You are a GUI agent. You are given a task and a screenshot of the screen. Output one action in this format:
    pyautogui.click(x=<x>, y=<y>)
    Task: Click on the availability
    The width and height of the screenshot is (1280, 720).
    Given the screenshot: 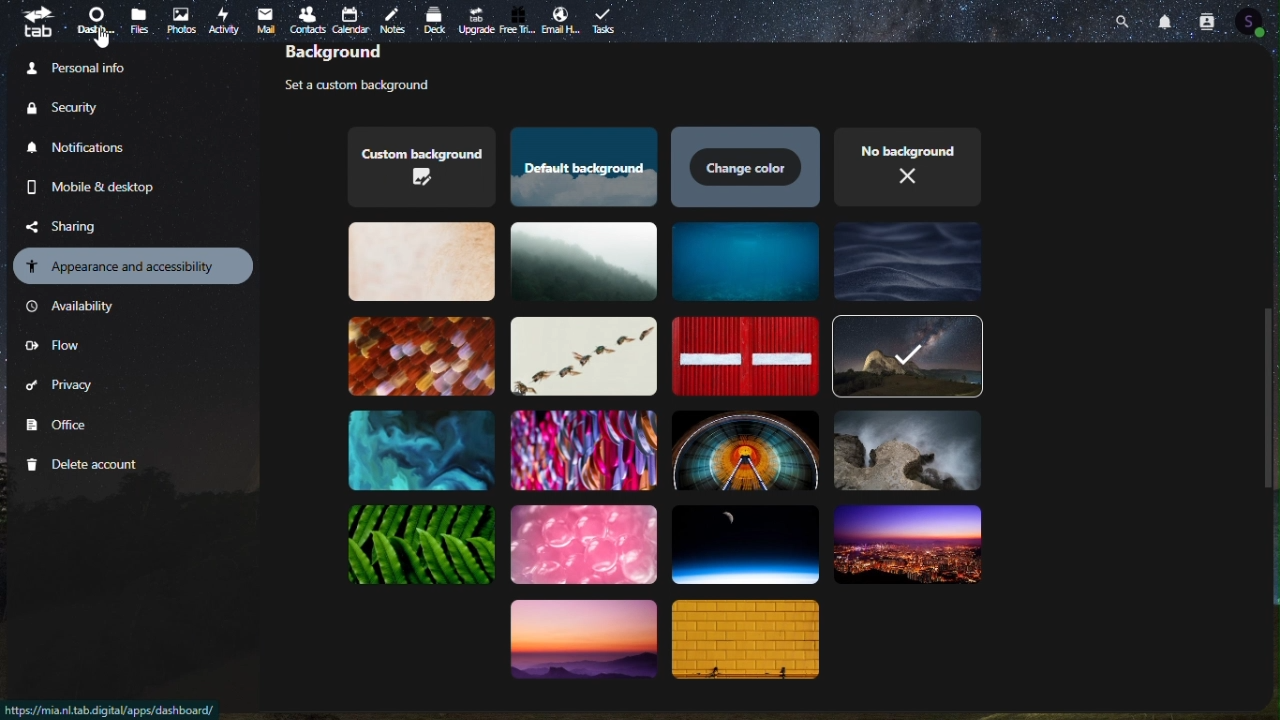 What is the action you would take?
    pyautogui.click(x=75, y=307)
    